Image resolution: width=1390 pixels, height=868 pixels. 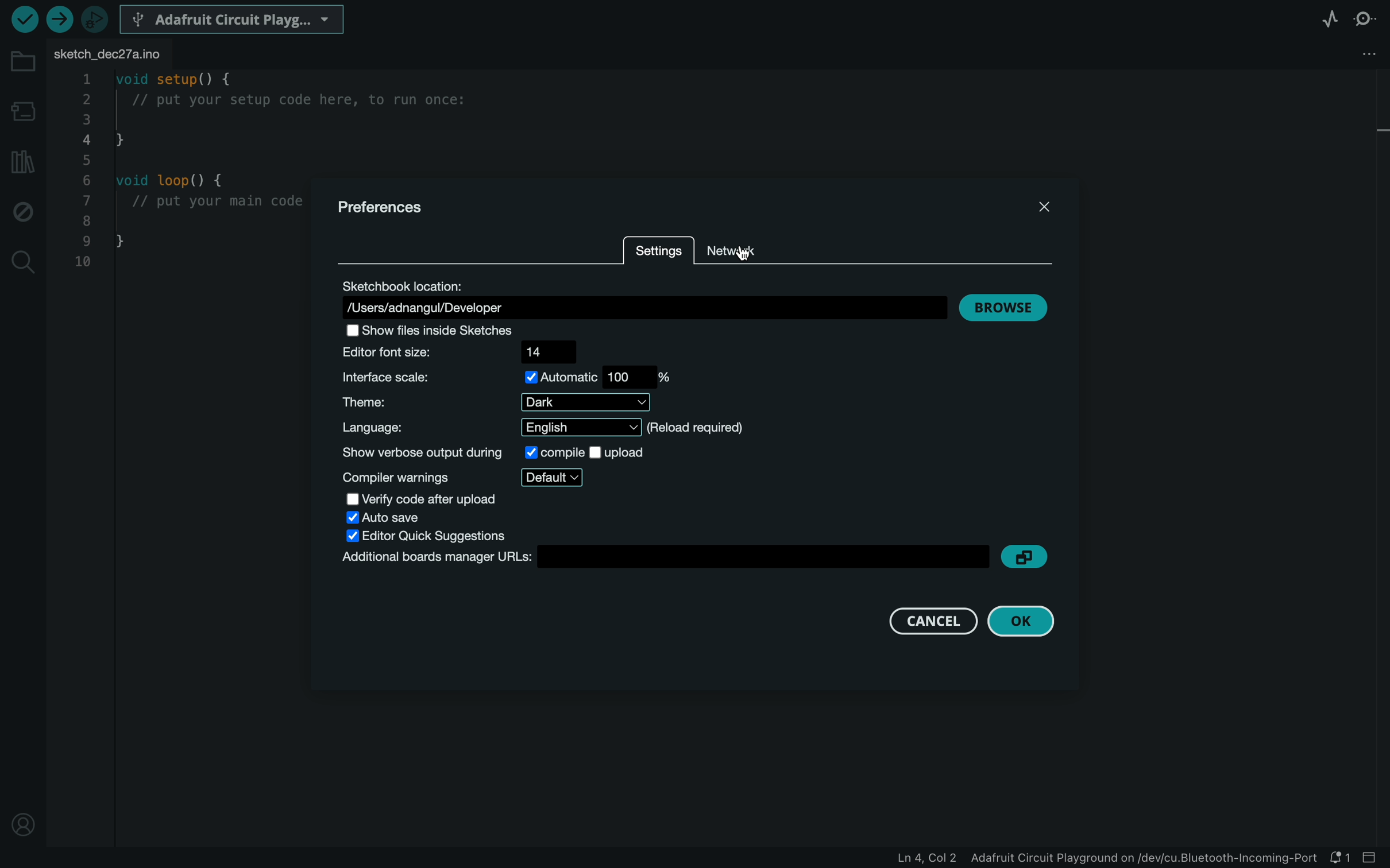 I want to click on show files, so click(x=461, y=332).